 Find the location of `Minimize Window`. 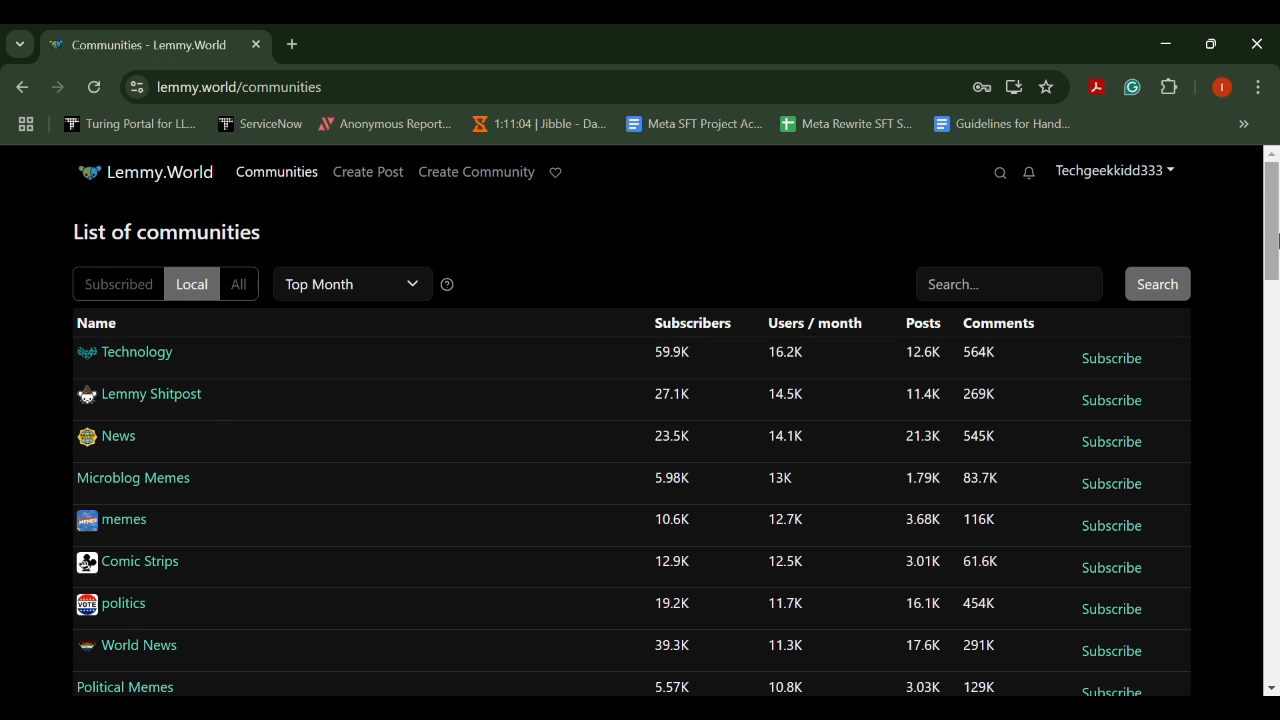

Minimize Window is located at coordinates (1214, 43).